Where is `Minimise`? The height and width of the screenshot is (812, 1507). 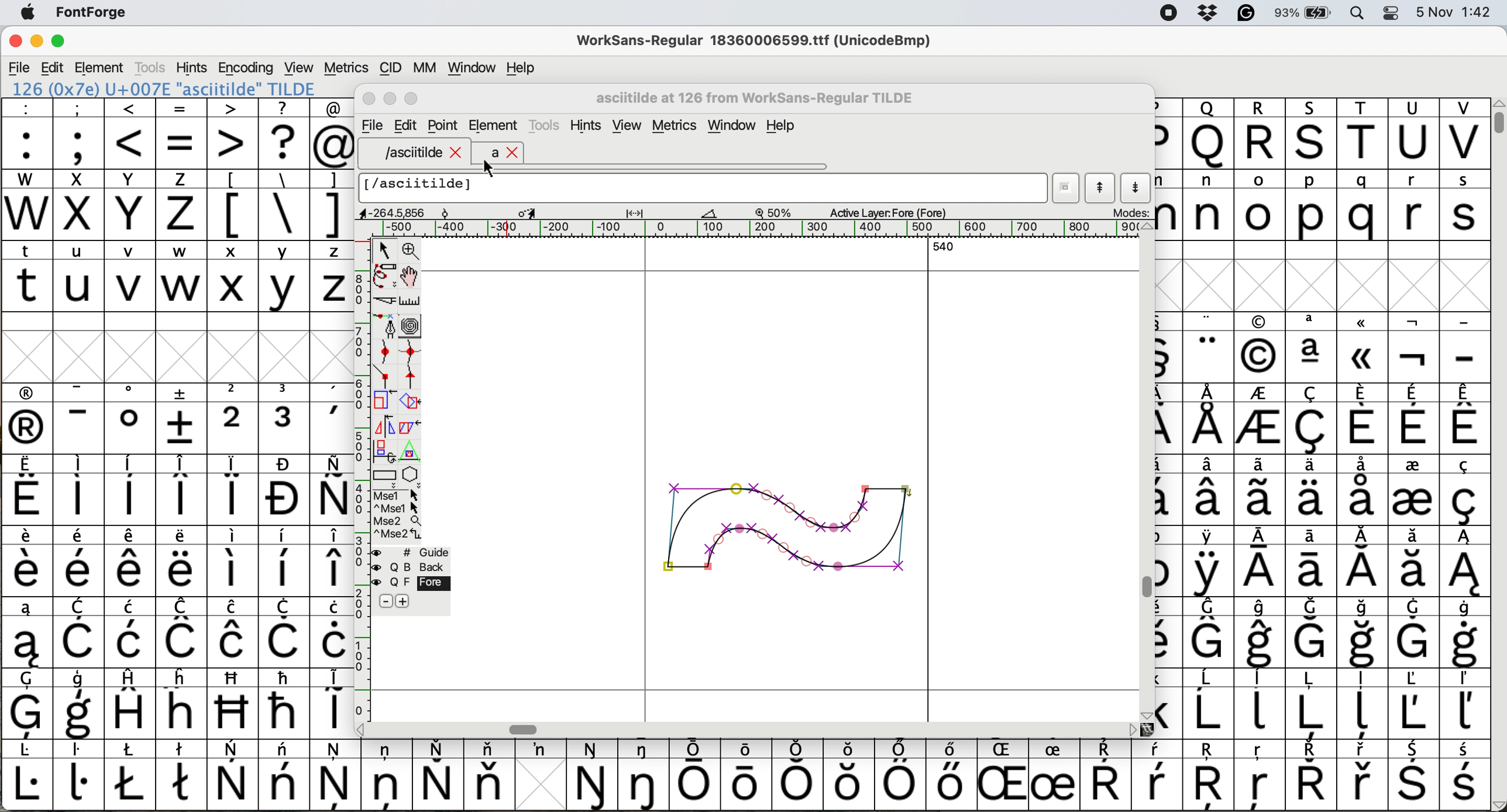
Minimise is located at coordinates (391, 99).